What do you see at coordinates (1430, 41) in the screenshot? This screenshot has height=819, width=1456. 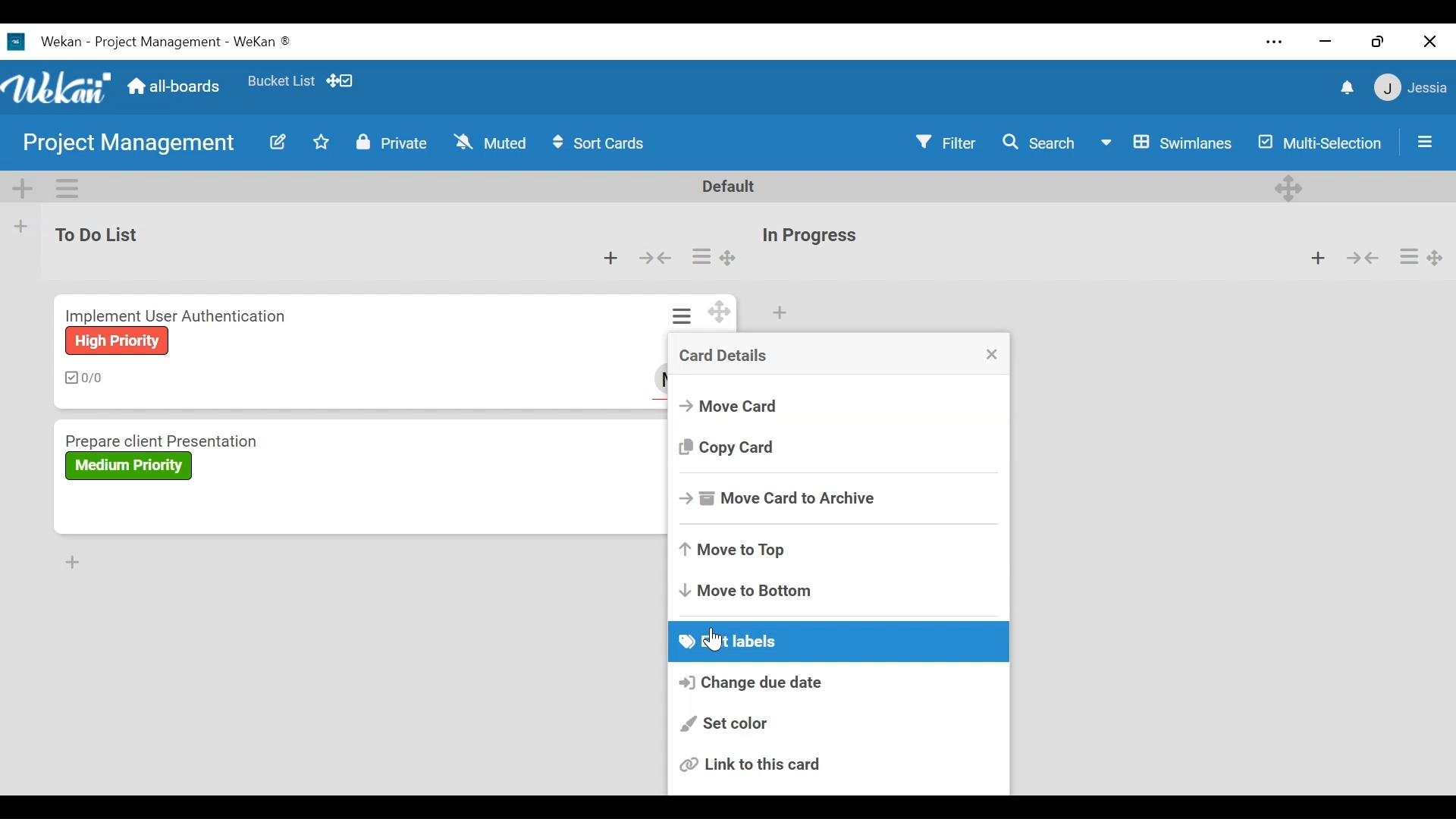 I see `Close` at bounding box center [1430, 41].